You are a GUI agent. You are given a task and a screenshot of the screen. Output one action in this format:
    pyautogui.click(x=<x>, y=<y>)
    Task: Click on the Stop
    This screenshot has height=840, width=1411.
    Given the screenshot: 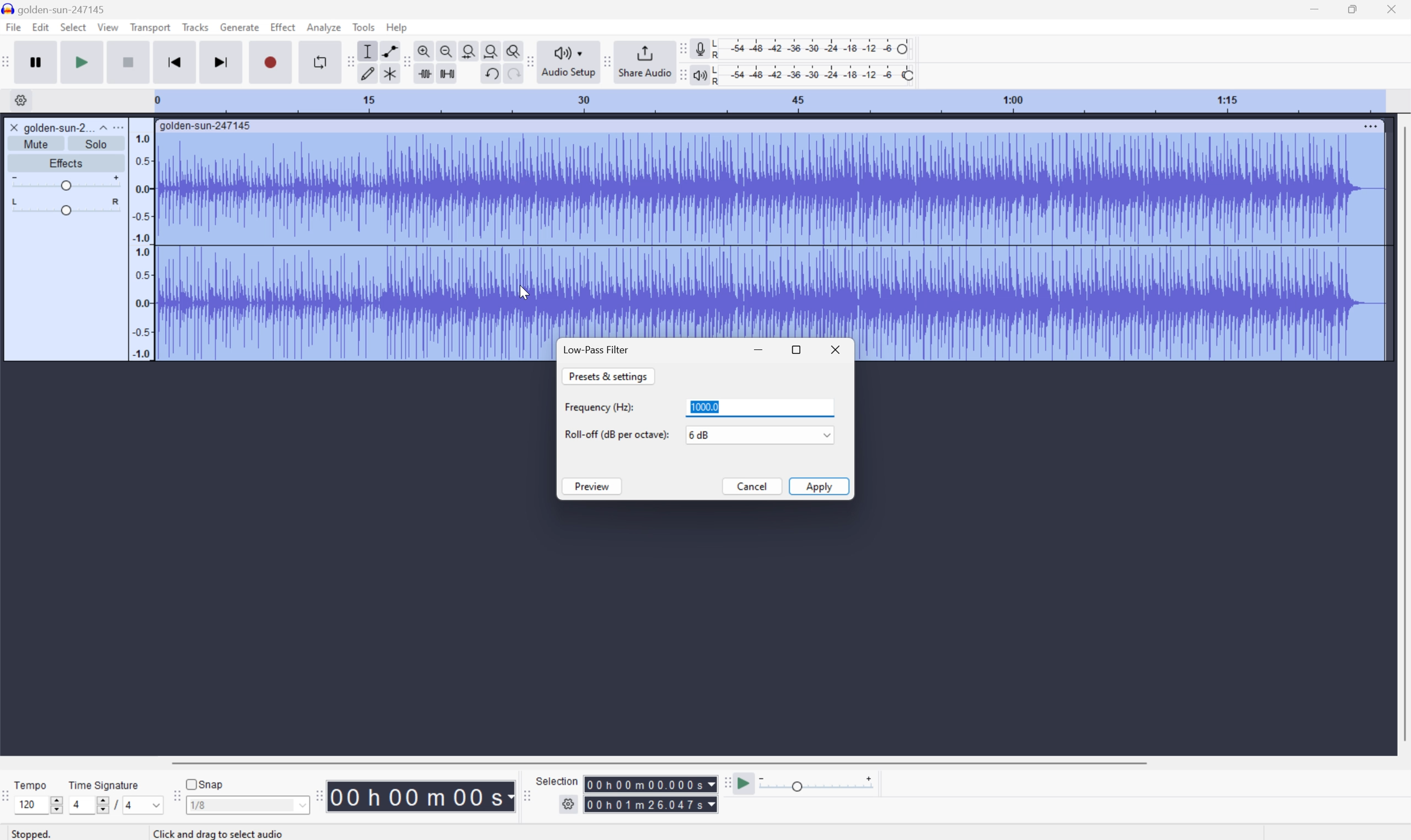 What is the action you would take?
    pyautogui.click(x=129, y=62)
    